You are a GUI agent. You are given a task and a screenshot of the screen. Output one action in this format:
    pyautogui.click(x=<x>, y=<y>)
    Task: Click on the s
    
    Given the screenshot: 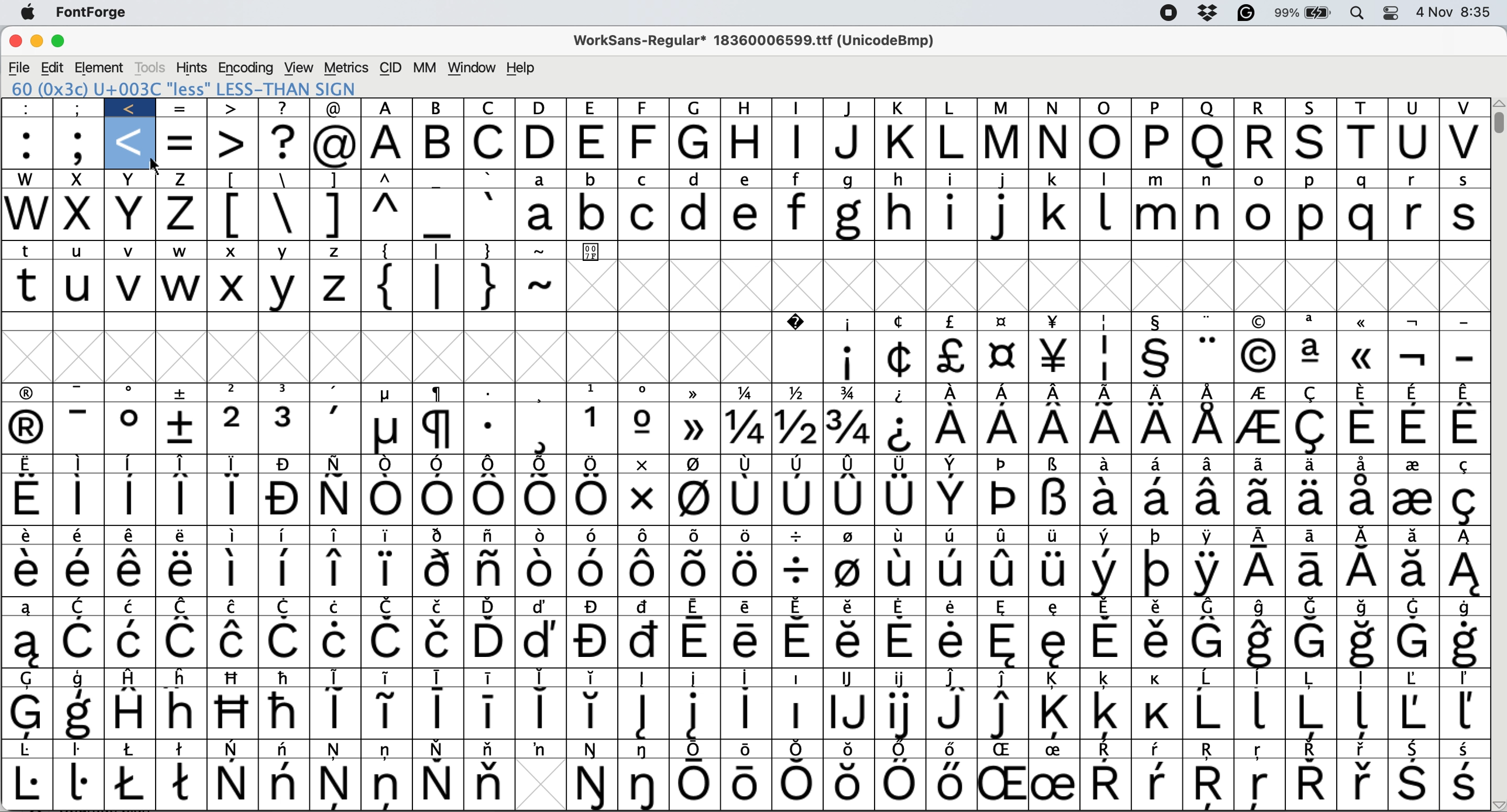 What is the action you would take?
    pyautogui.click(x=1465, y=216)
    